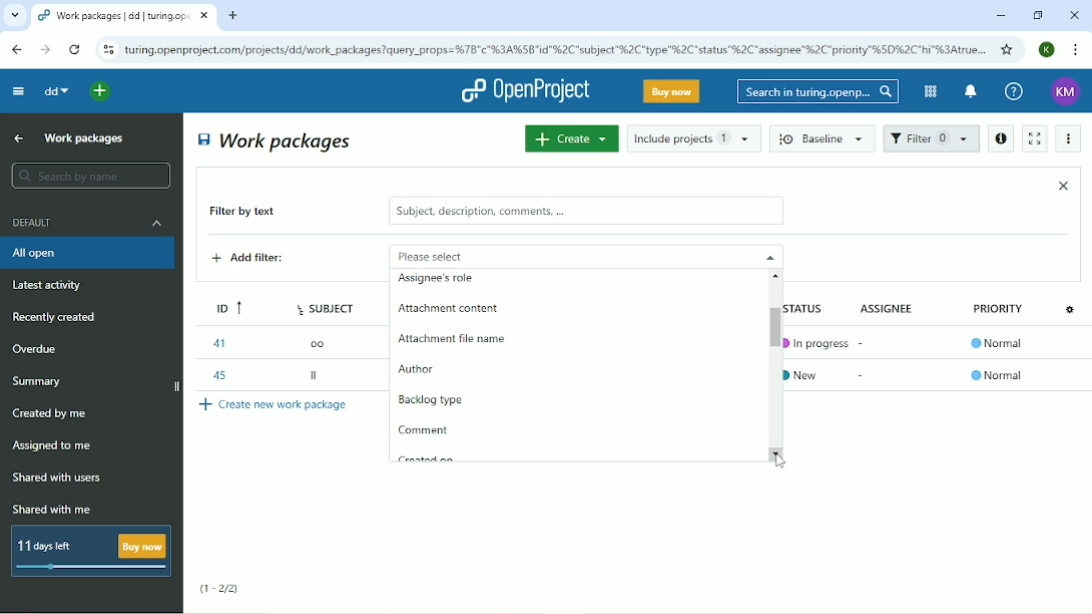 This screenshot has height=614, width=1092. I want to click on New tab, so click(233, 16).